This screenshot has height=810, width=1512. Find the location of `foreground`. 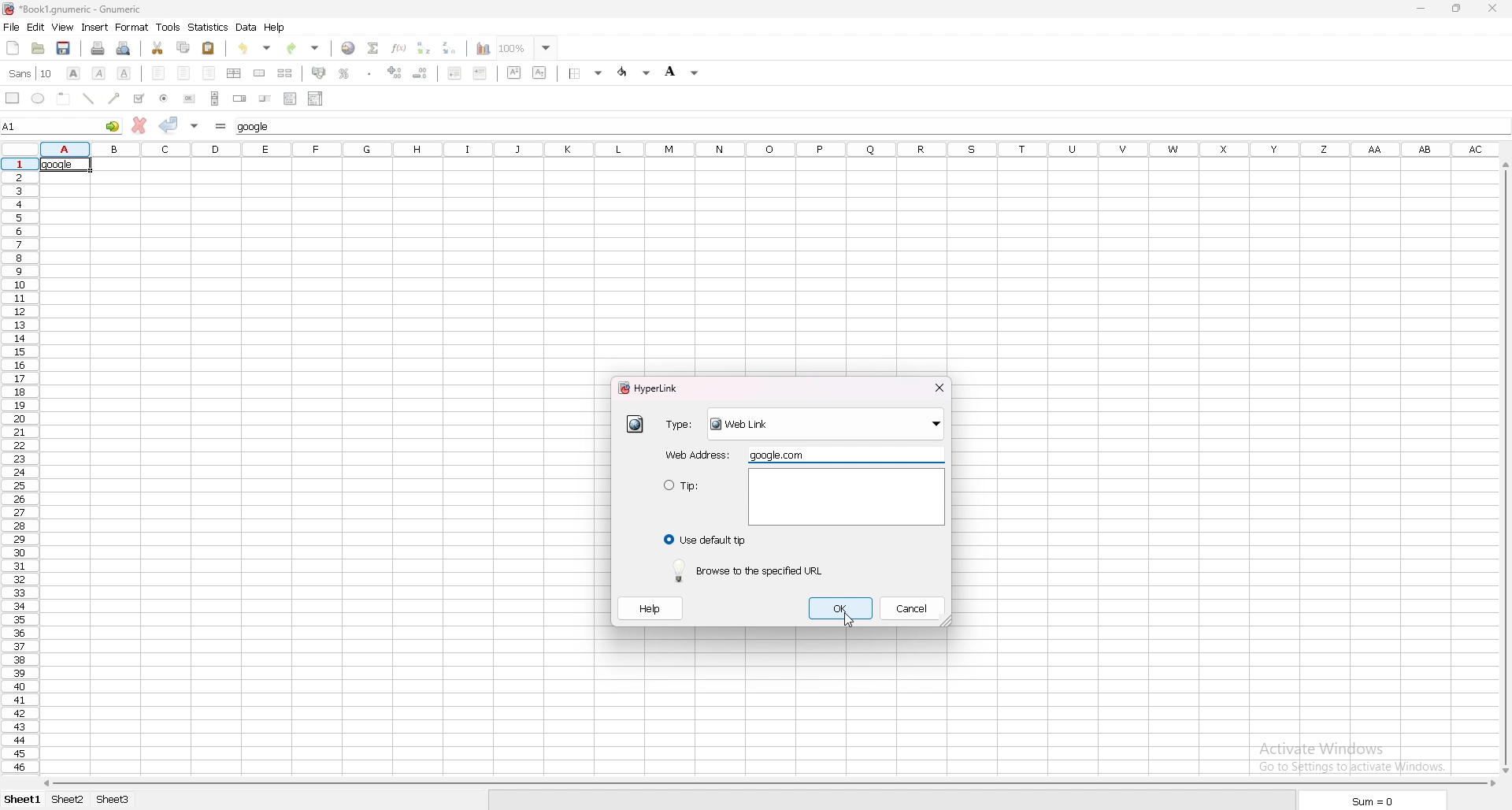

foreground is located at coordinates (636, 72).